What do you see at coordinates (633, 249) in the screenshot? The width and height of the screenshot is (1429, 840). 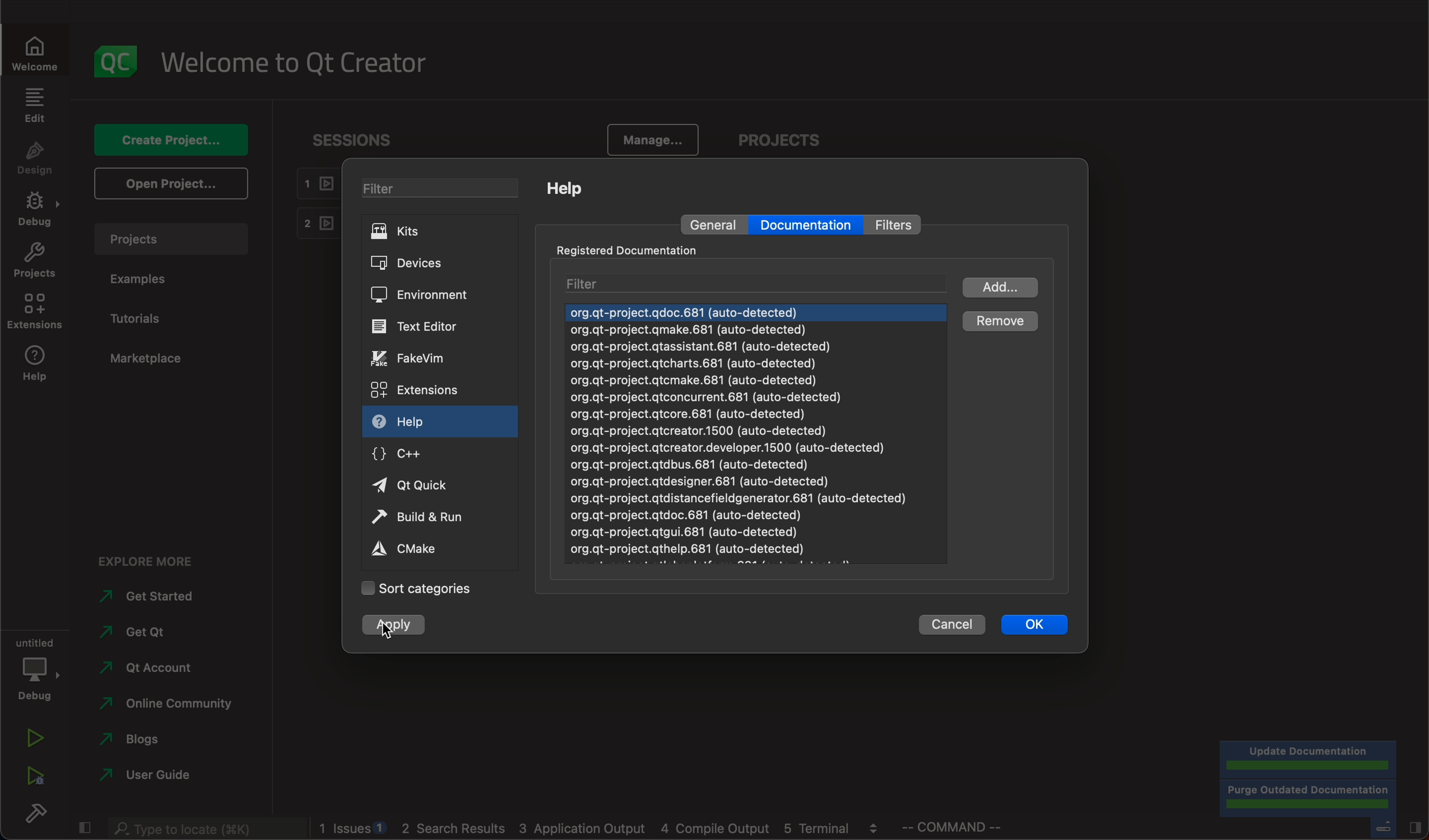 I see `registered` at bounding box center [633, 249].